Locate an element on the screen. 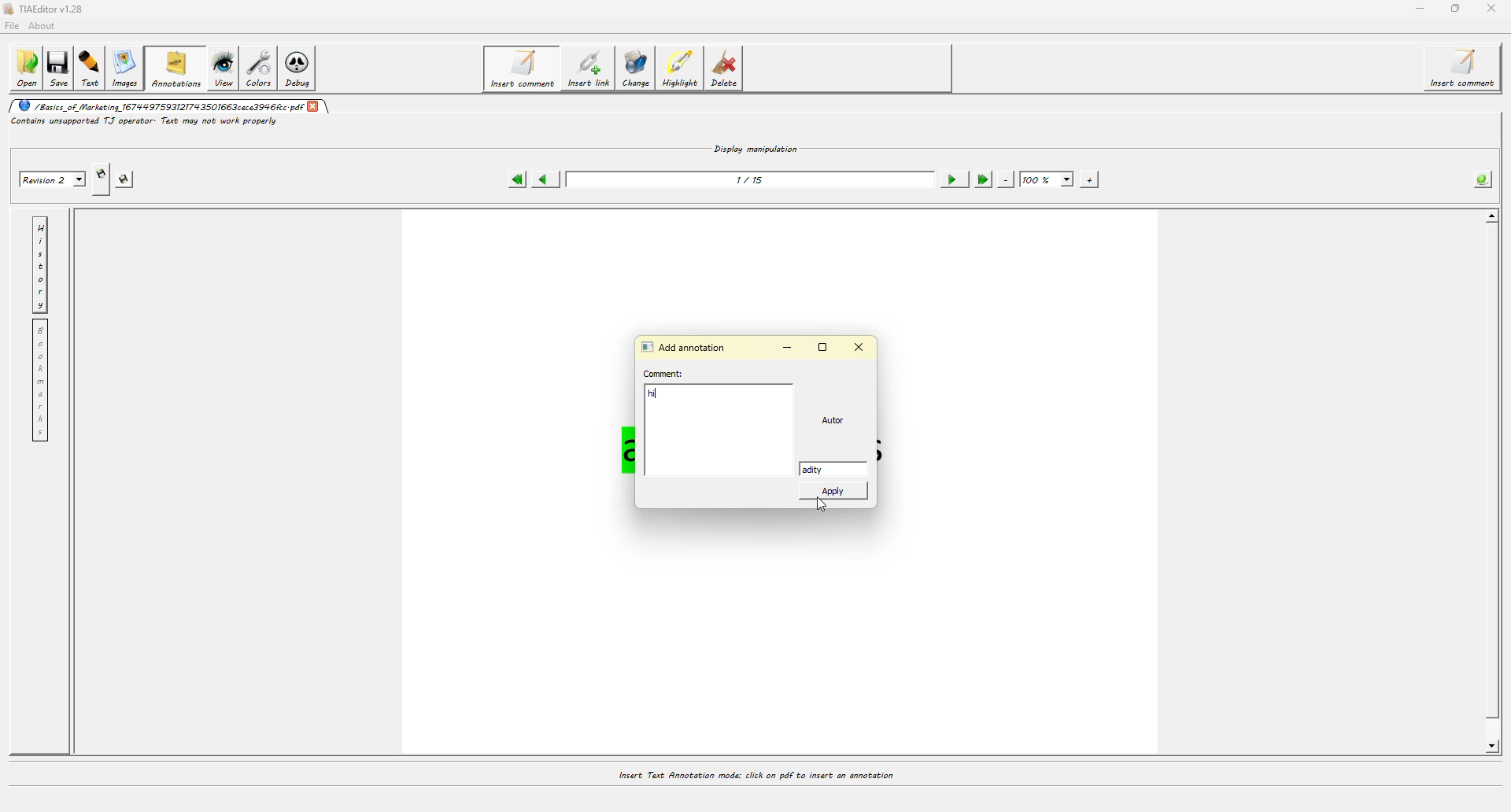 The width and height of the screenshot is (1511, 812). zoom in is located at coordinates (1089, 179).